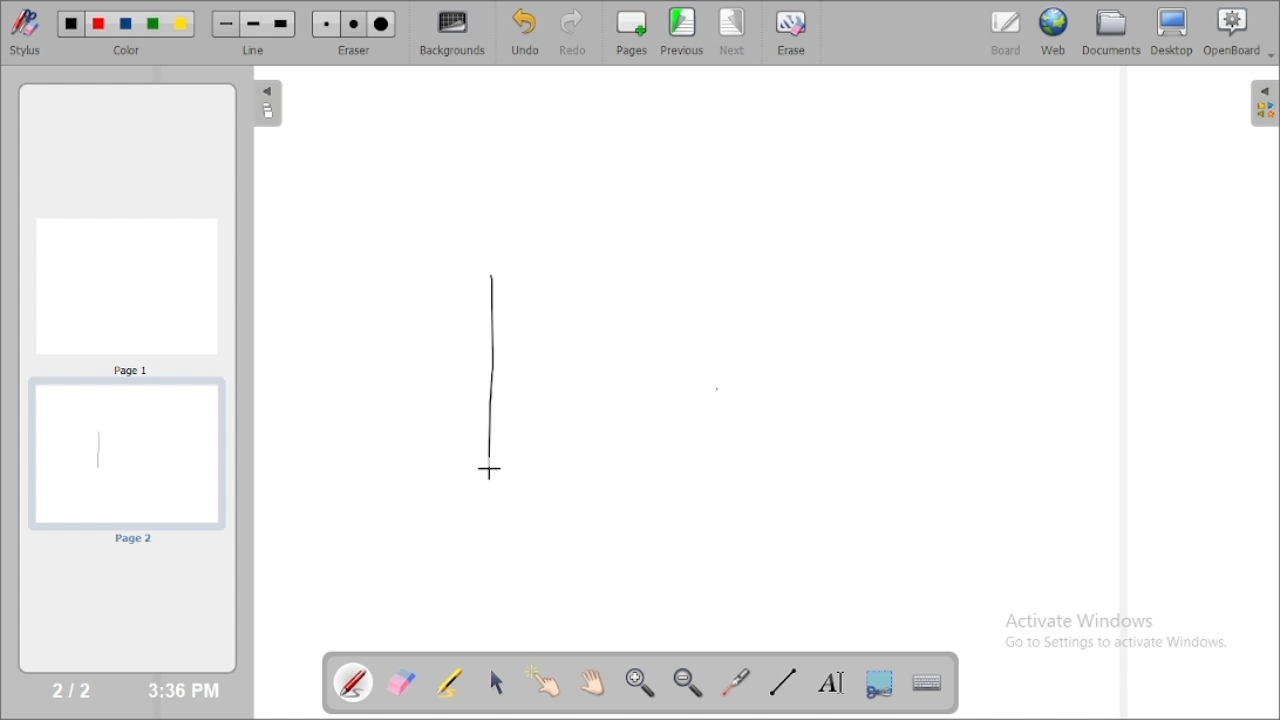  Describe the element at coordinates (926, 682) in the screenshot. I see `display virtual keyboard` at that location.